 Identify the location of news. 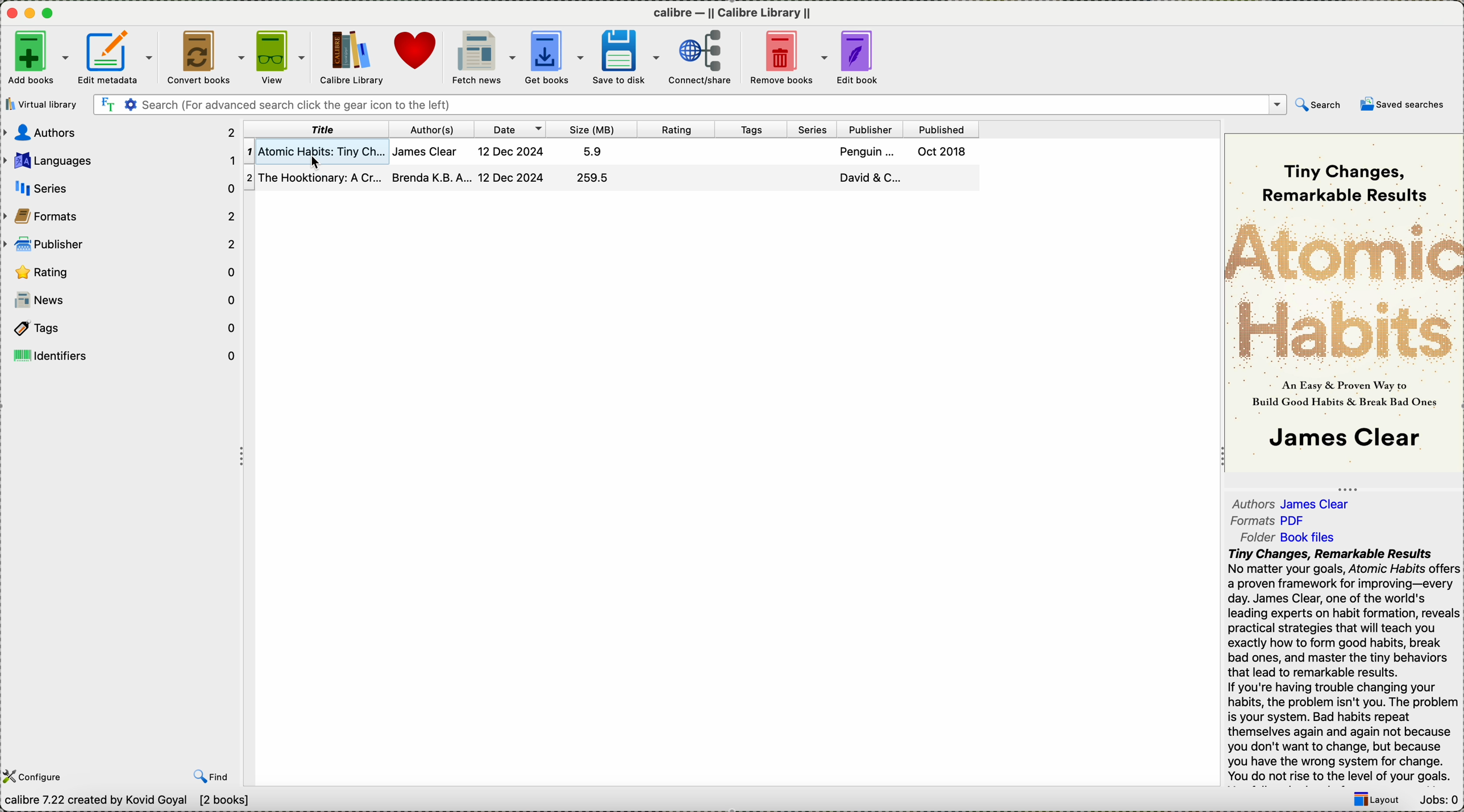
(126, 300).